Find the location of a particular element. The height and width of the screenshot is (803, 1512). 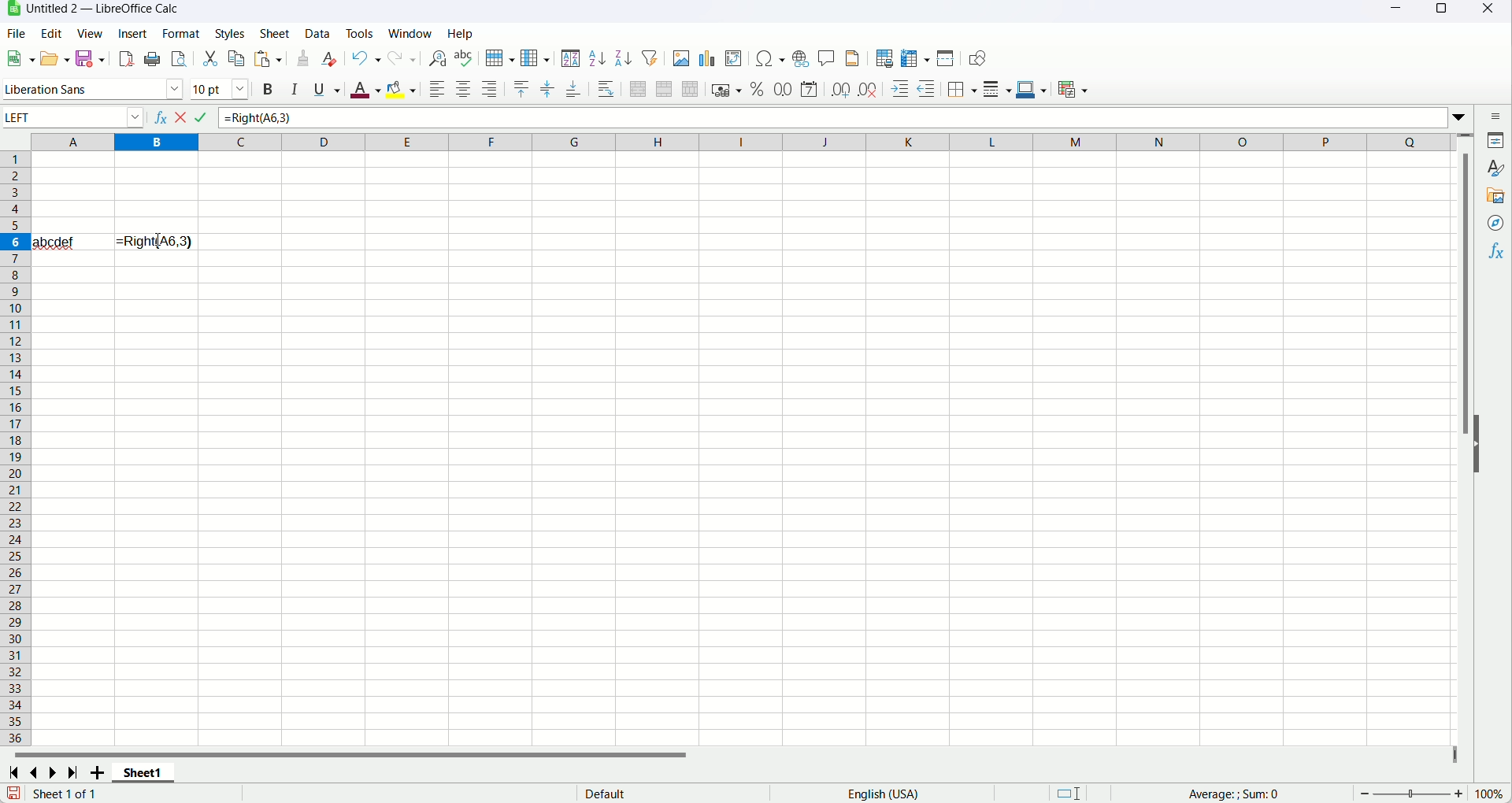

navigator is located at coordinates (1494, 224).